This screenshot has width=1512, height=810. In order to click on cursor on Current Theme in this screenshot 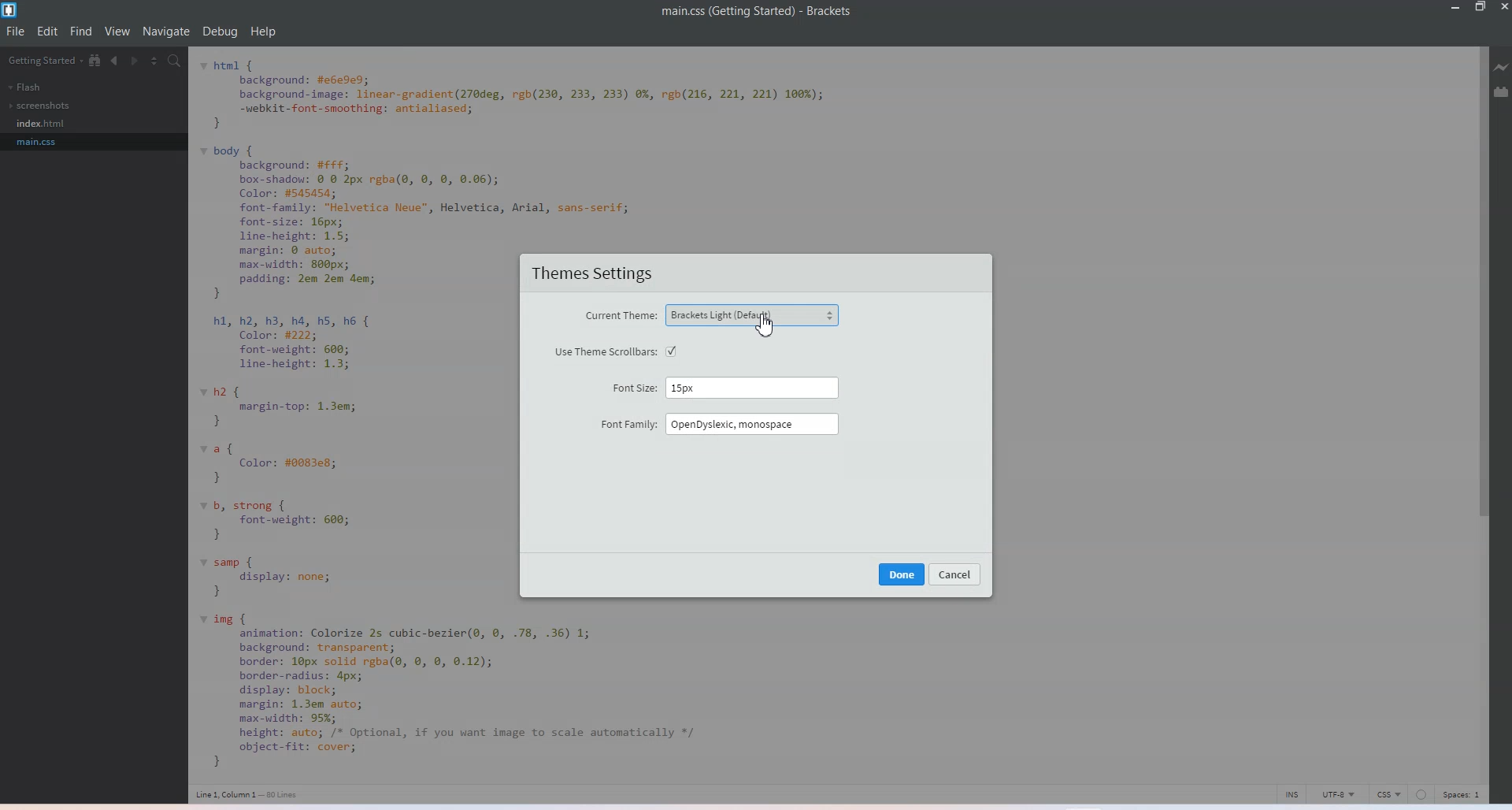, I will do `click(765, 325)`.